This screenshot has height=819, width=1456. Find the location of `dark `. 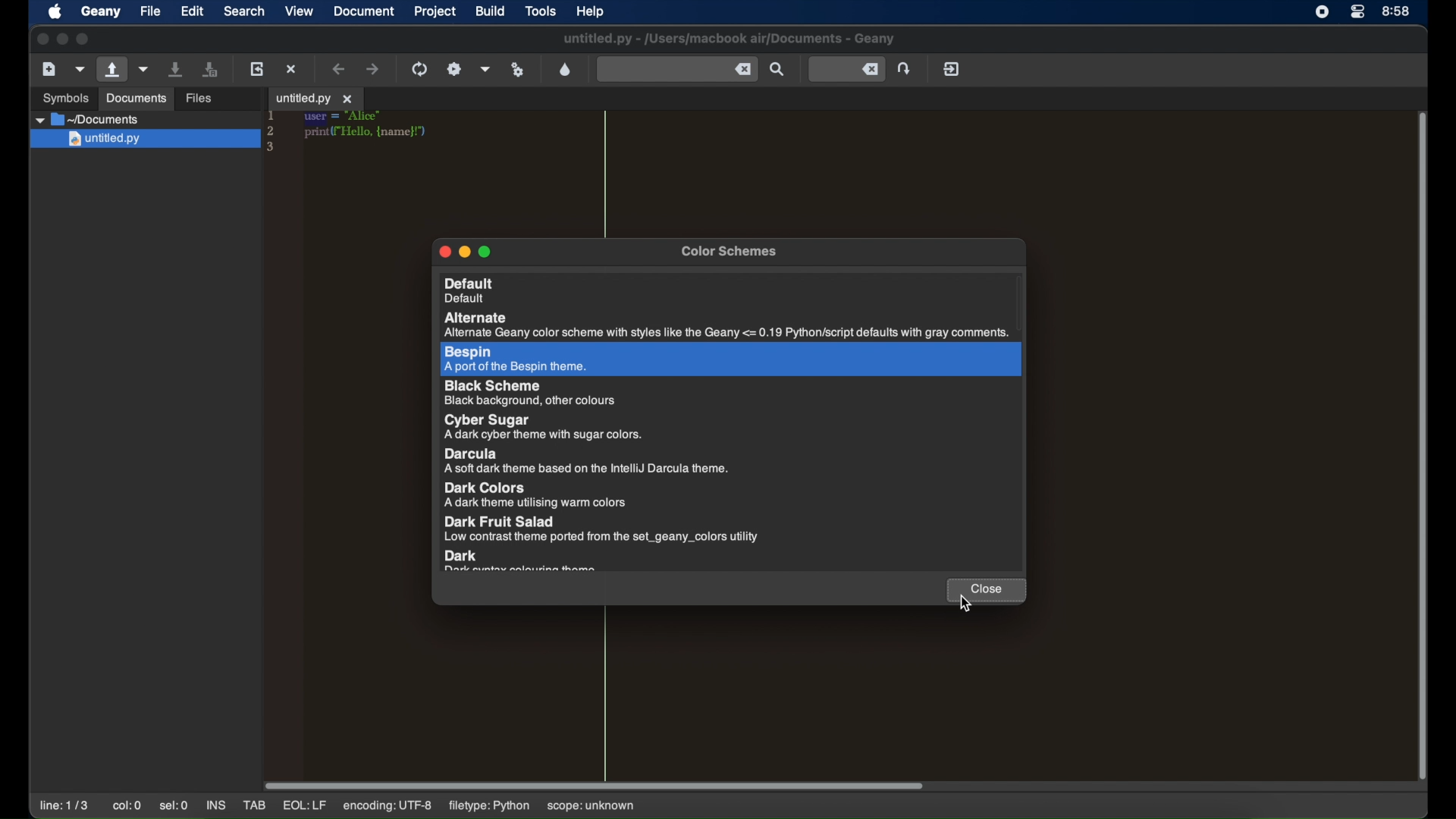

dark  is located at coordinates (522, 561).